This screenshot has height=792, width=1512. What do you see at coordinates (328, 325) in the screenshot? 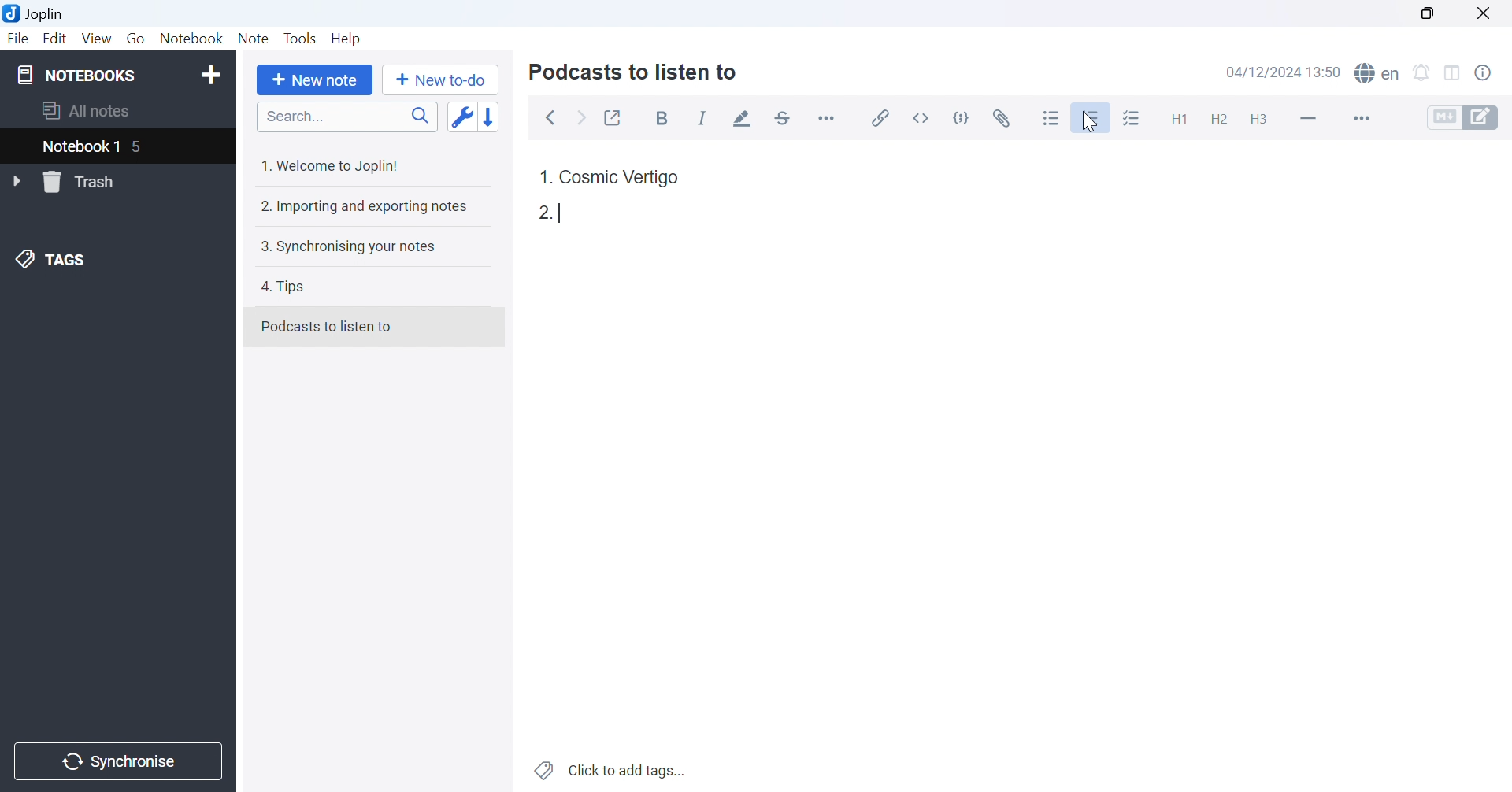
I see `Podcasts to listen to` at bounding box center [328, 325].